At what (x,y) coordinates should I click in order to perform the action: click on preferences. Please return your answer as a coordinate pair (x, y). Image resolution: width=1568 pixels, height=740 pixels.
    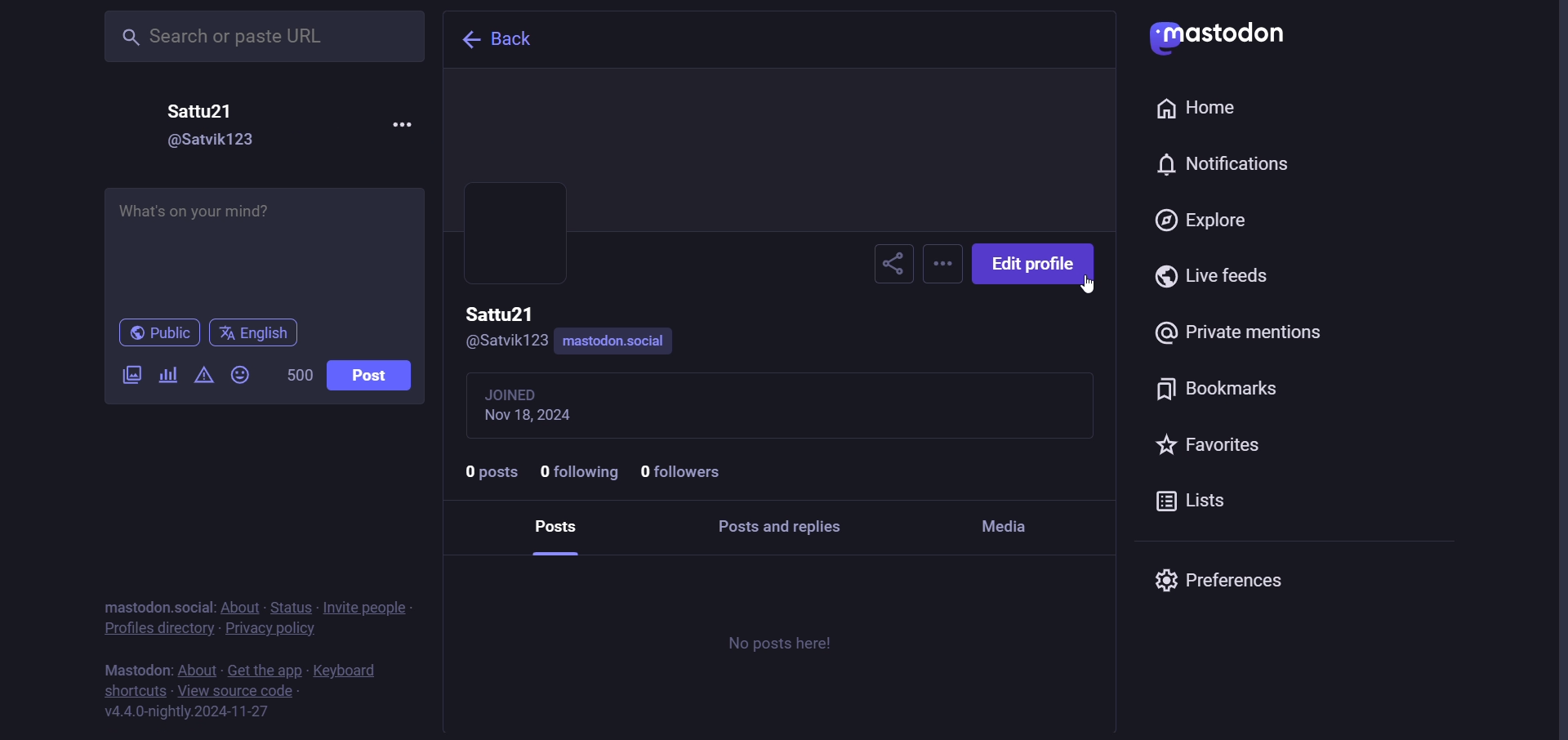
    Looking at the image, I should click on (1218, 579).